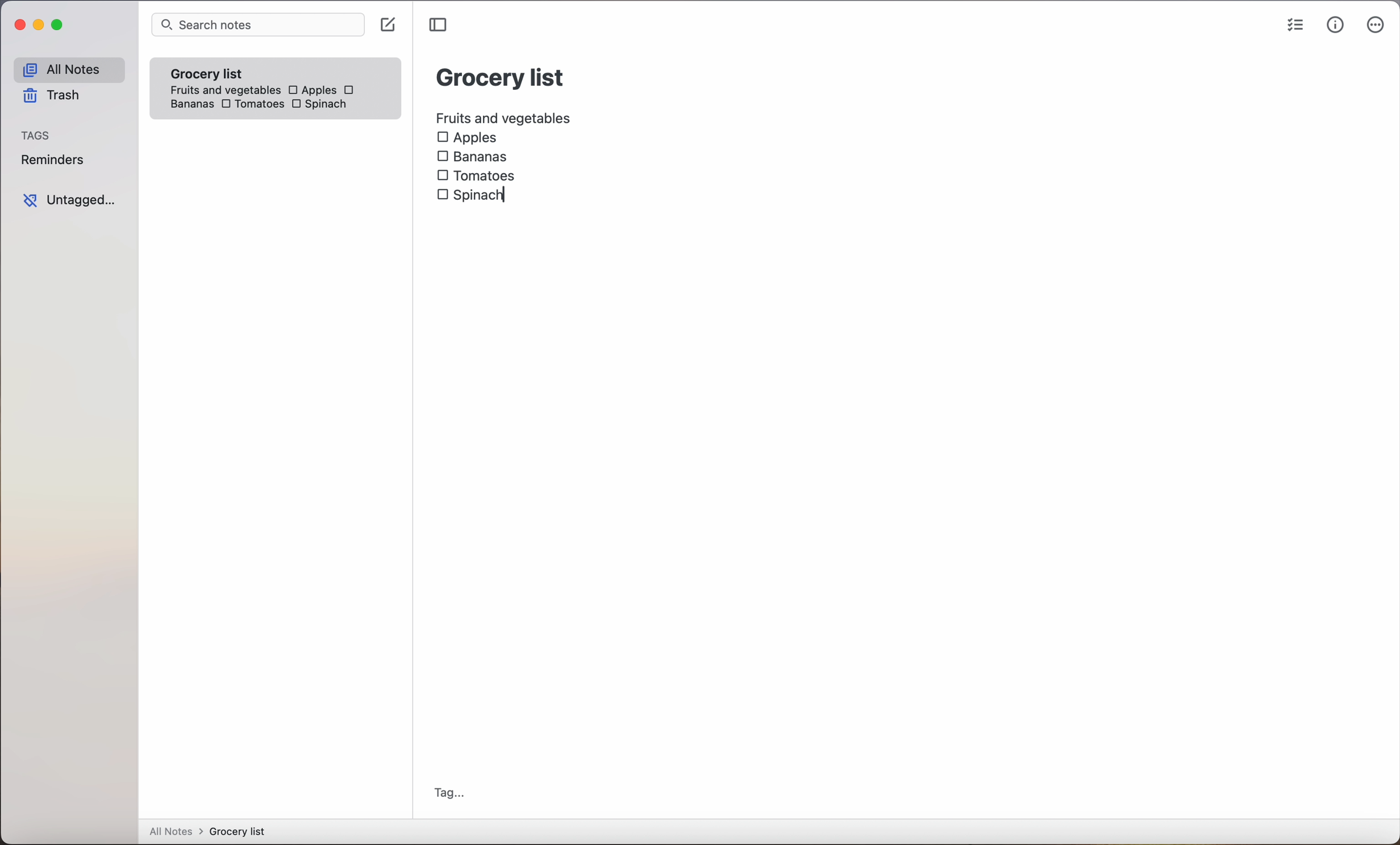  I want to click on search bar, so click(257, 26).